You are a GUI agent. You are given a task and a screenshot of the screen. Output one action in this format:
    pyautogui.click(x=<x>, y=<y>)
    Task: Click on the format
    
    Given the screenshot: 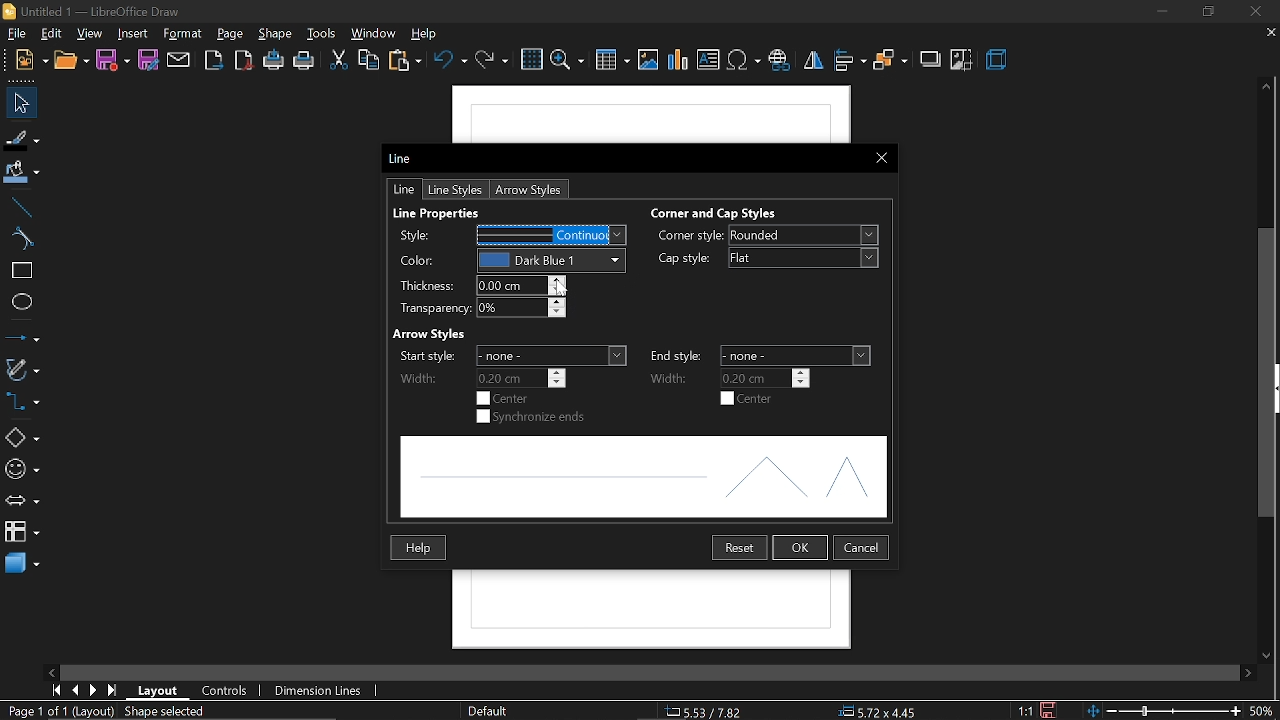 What is the action you would take?
    pyautogui.click(x=184, y=34)
    